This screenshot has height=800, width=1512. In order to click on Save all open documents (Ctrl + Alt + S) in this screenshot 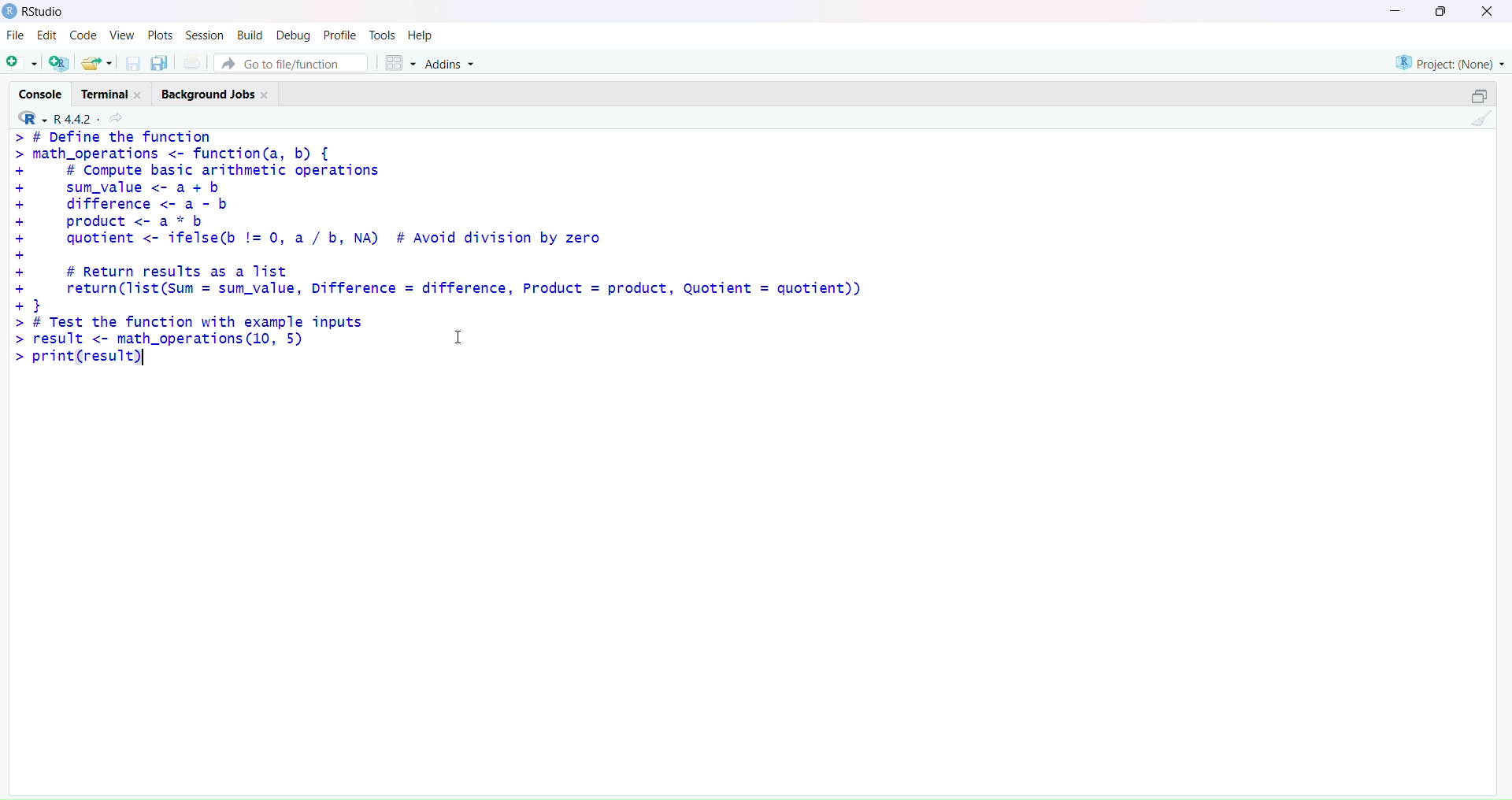, I will do `click(158, 61)`.